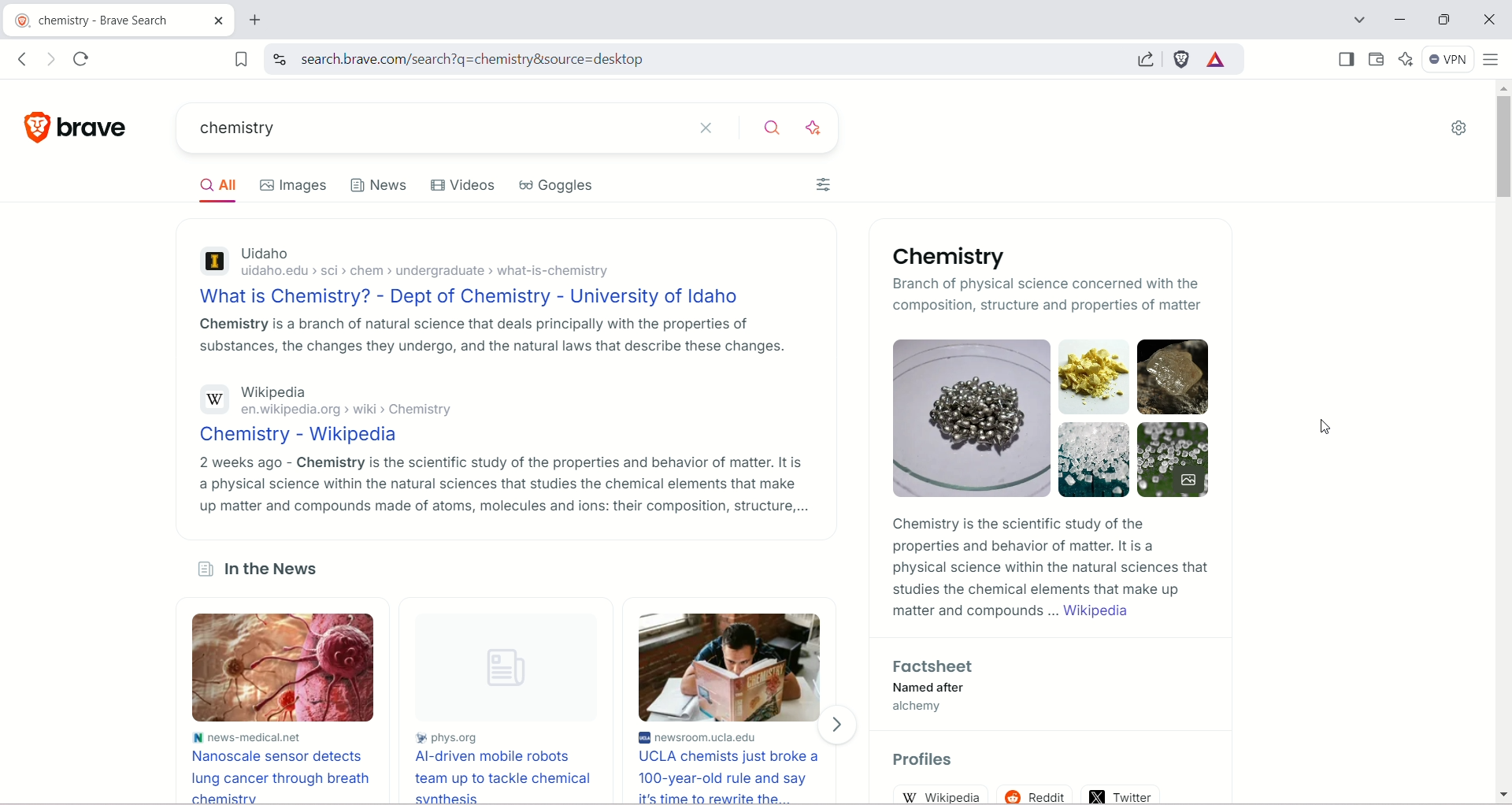 This screenshot has width=1512, height=805. Describe the element at coordinates (972, 610) in the screenshot. I see `matter and compounds...` at that location.